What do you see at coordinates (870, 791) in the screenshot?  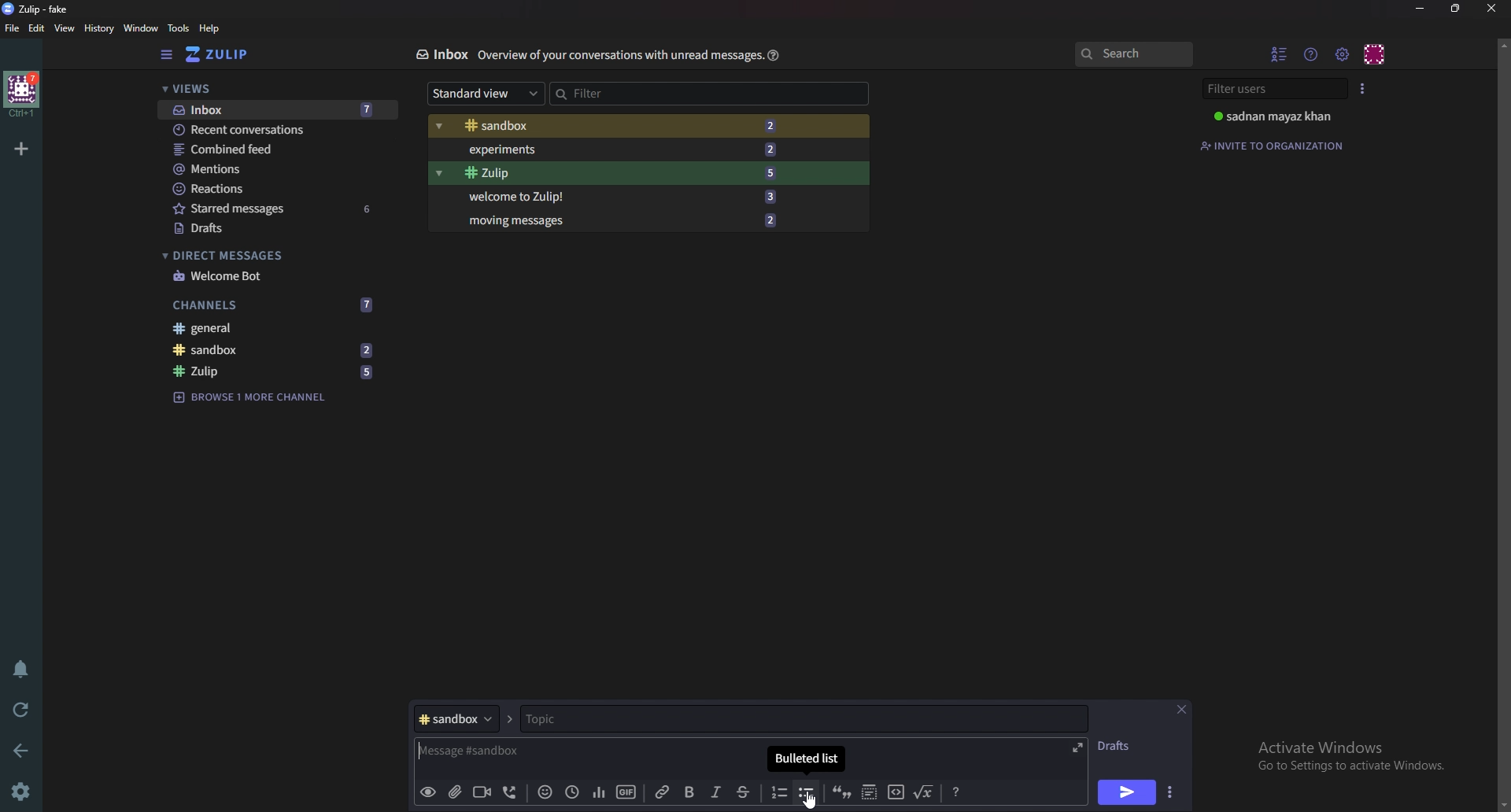 I see `Spoiler` at bounding box center [870, 791].